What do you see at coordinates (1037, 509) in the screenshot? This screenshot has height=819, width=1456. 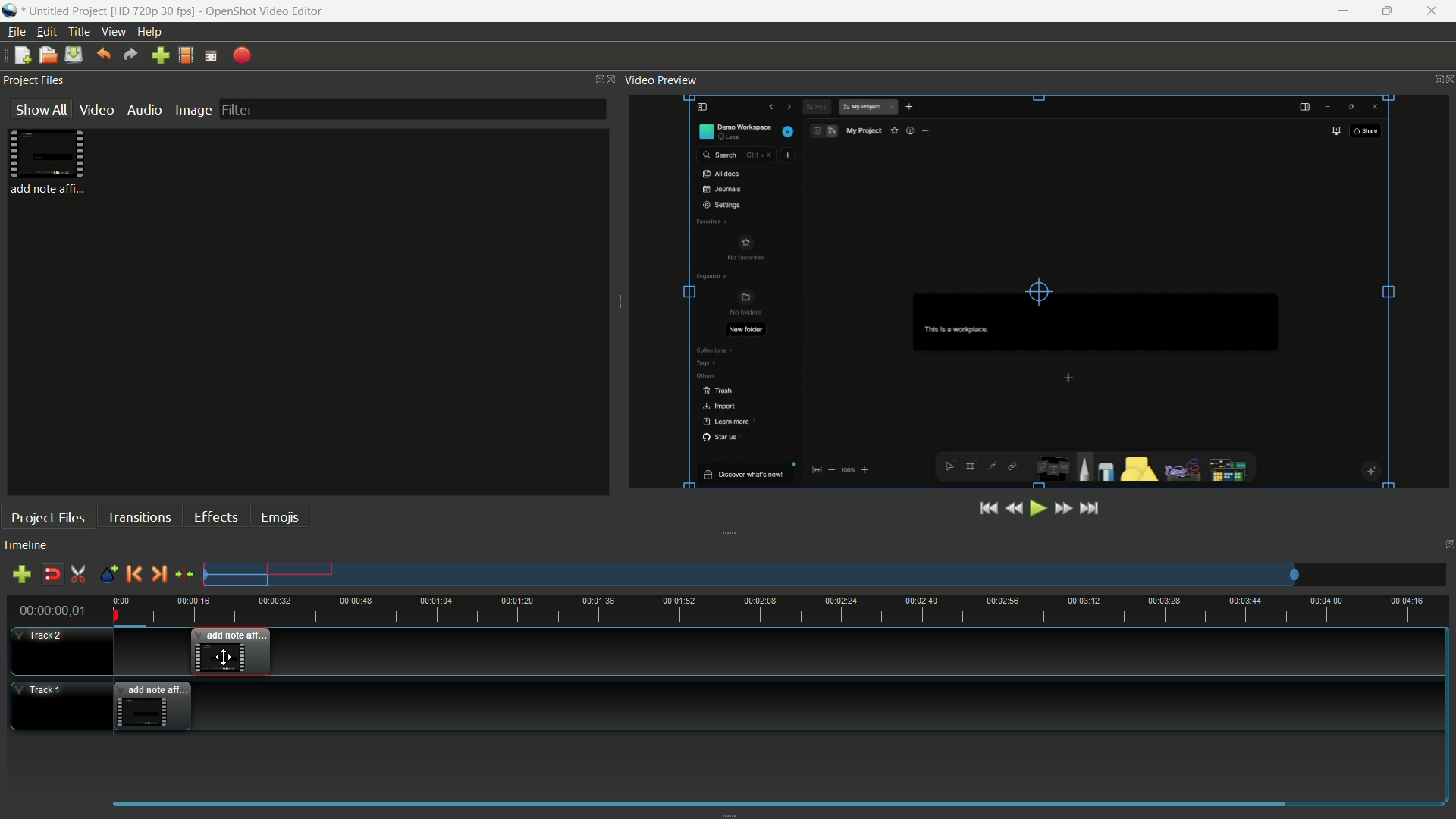 I see `play or pause` at bounding box center [1037, 509].